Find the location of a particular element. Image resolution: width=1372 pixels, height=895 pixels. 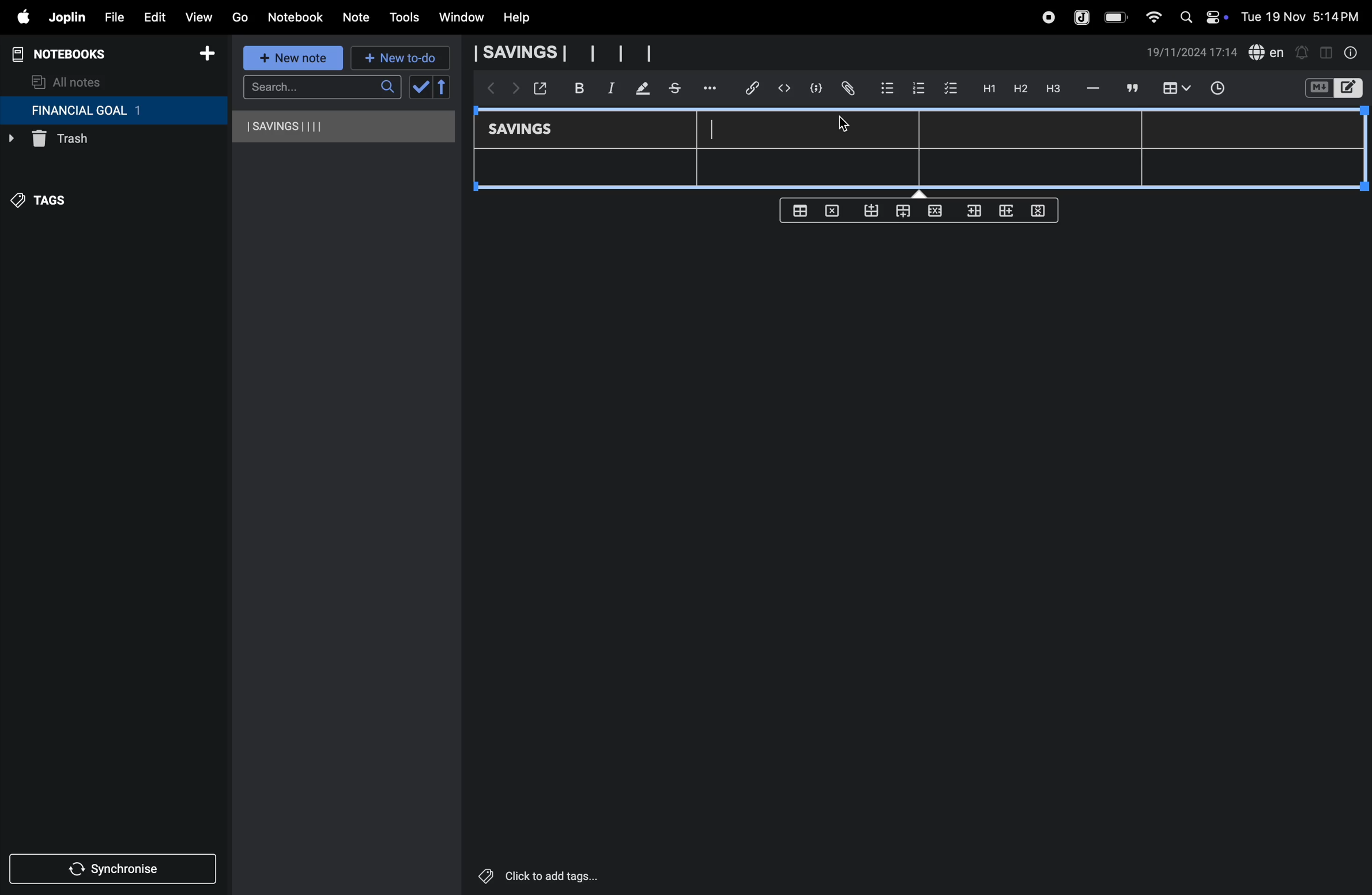

new to-do is located at coordinates (401, 59).